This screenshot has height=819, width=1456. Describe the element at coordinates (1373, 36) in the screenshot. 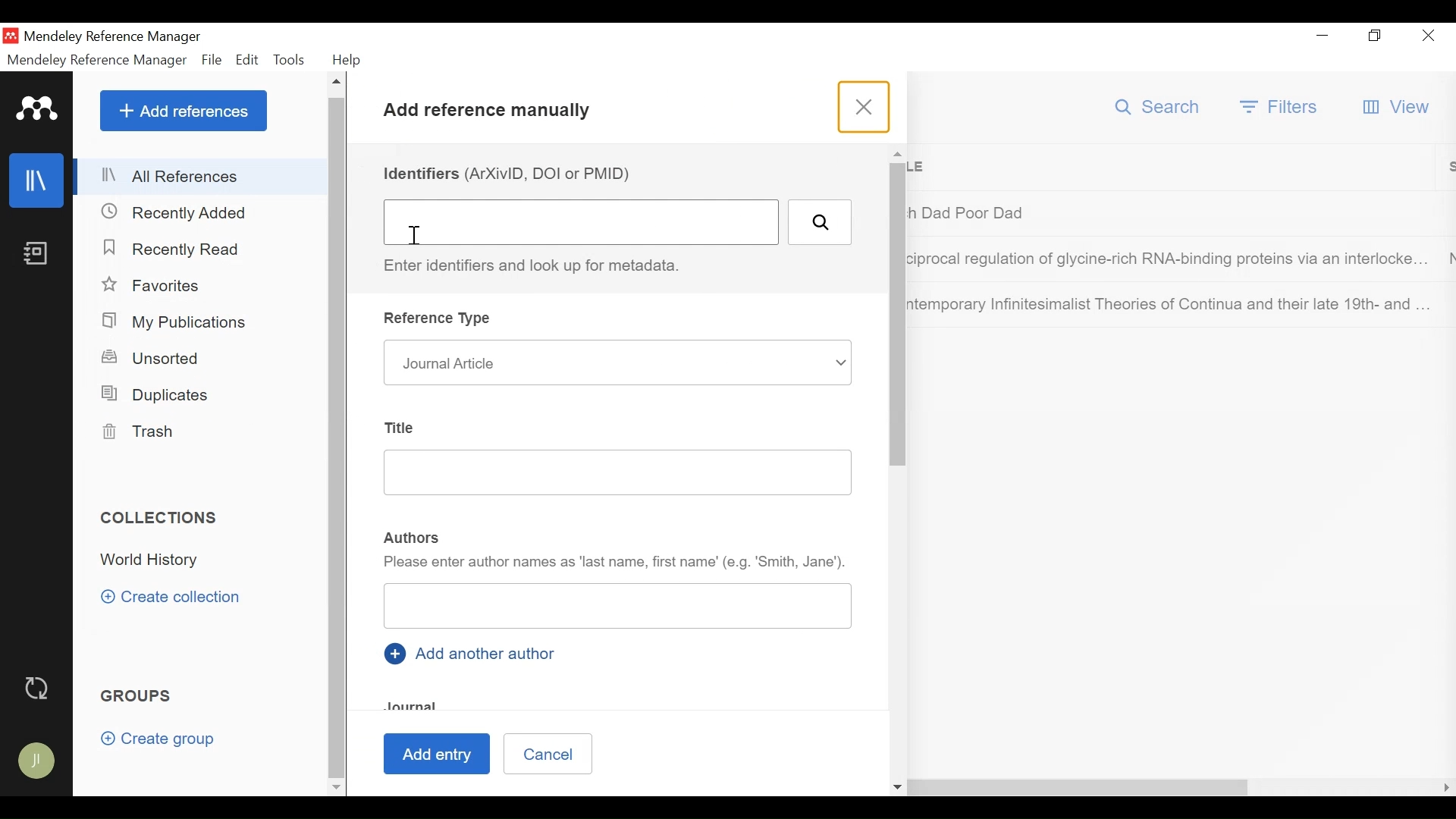

I see `Restore` at that location.